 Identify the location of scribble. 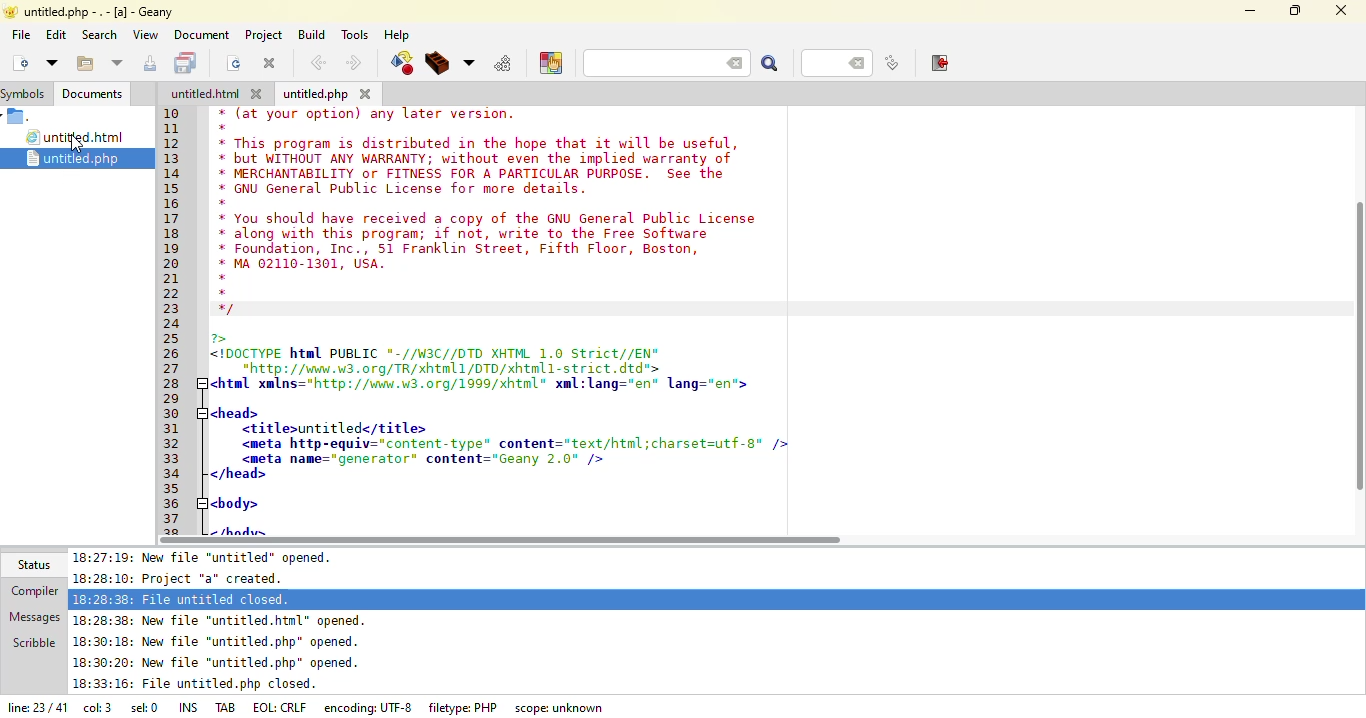
(36, 642).